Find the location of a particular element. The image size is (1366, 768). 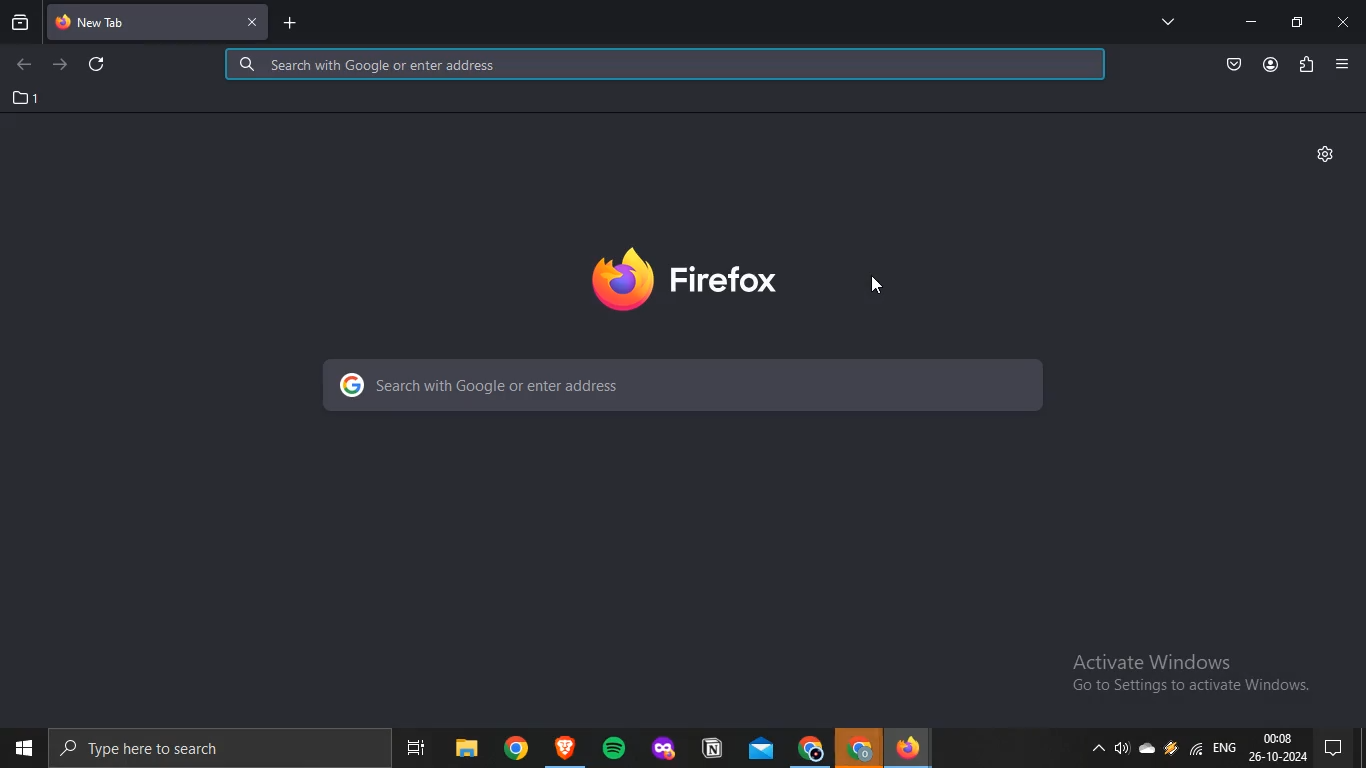

spotify is located at coordinates (614, 747).